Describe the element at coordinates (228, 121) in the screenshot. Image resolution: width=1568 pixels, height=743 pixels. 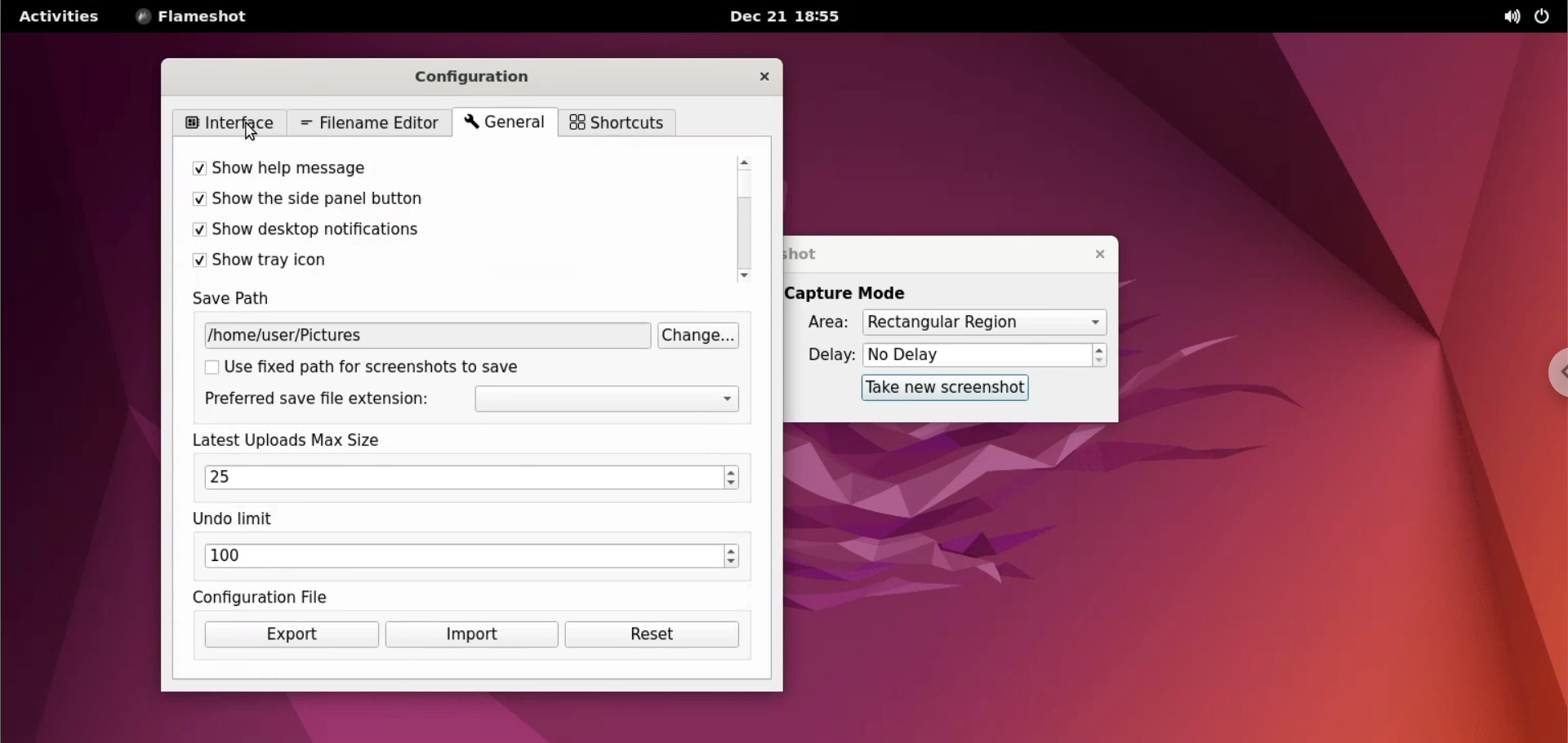
I see `interface ` at that location.